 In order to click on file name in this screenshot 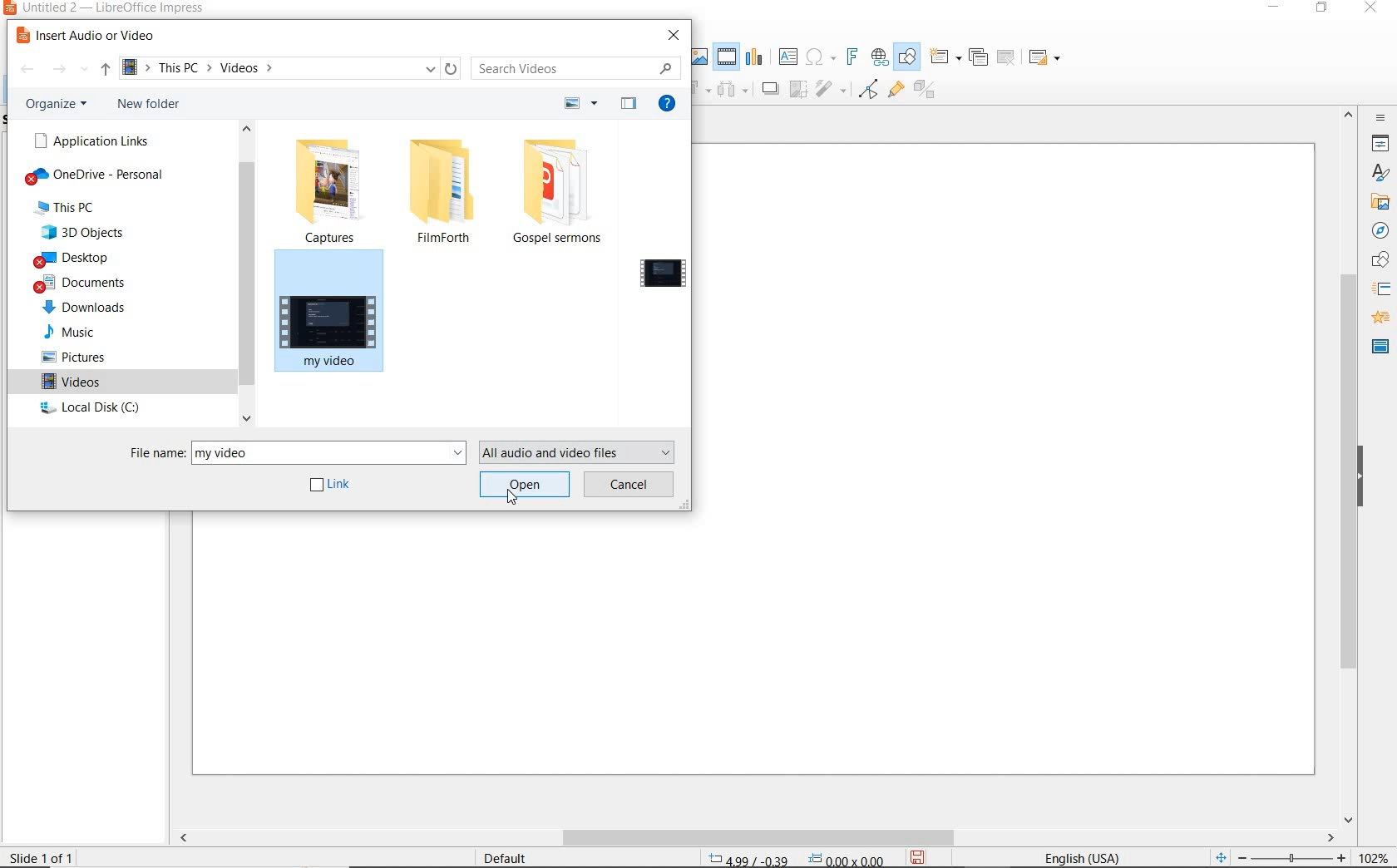, I will do `click(151, 456)`.